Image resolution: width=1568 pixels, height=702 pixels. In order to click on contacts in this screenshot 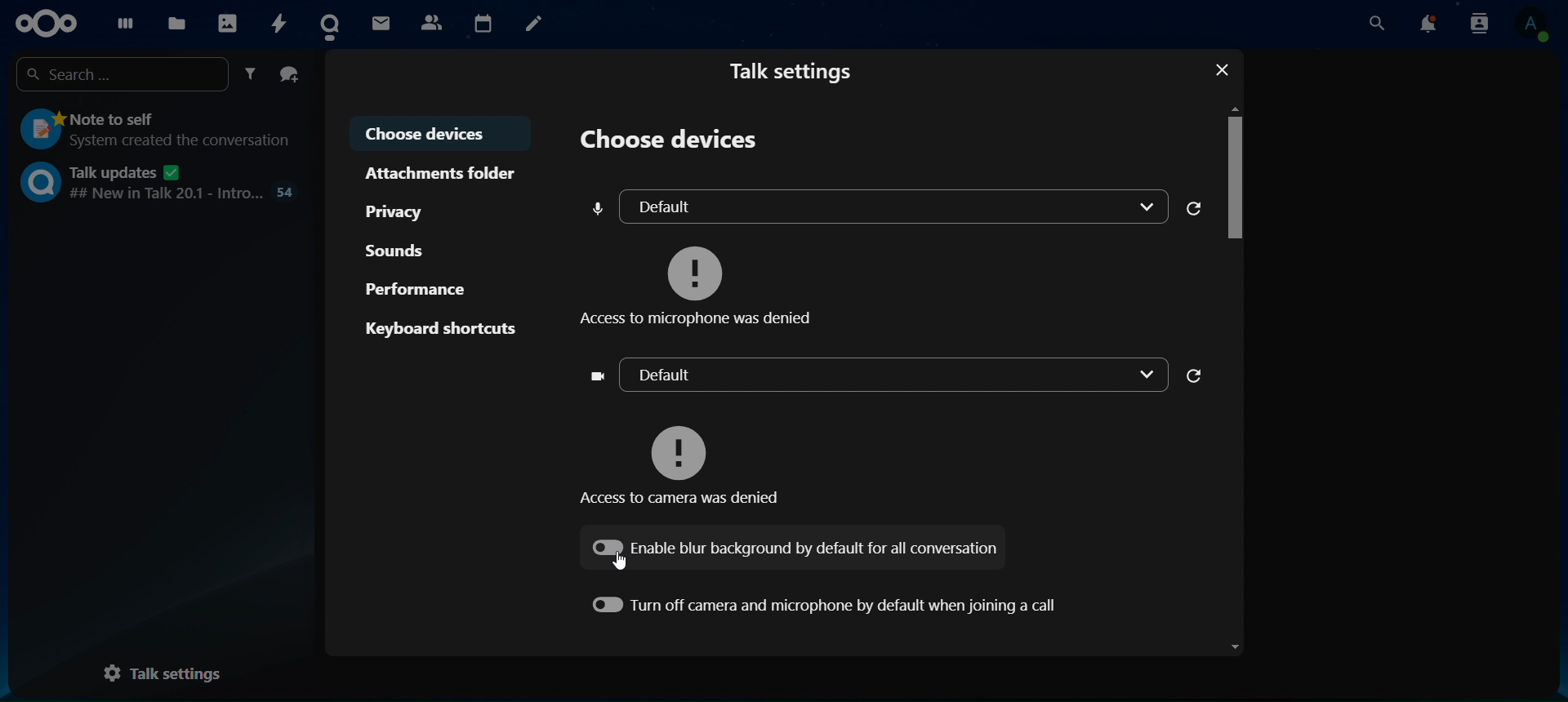, I will do `click(430, 22)`.